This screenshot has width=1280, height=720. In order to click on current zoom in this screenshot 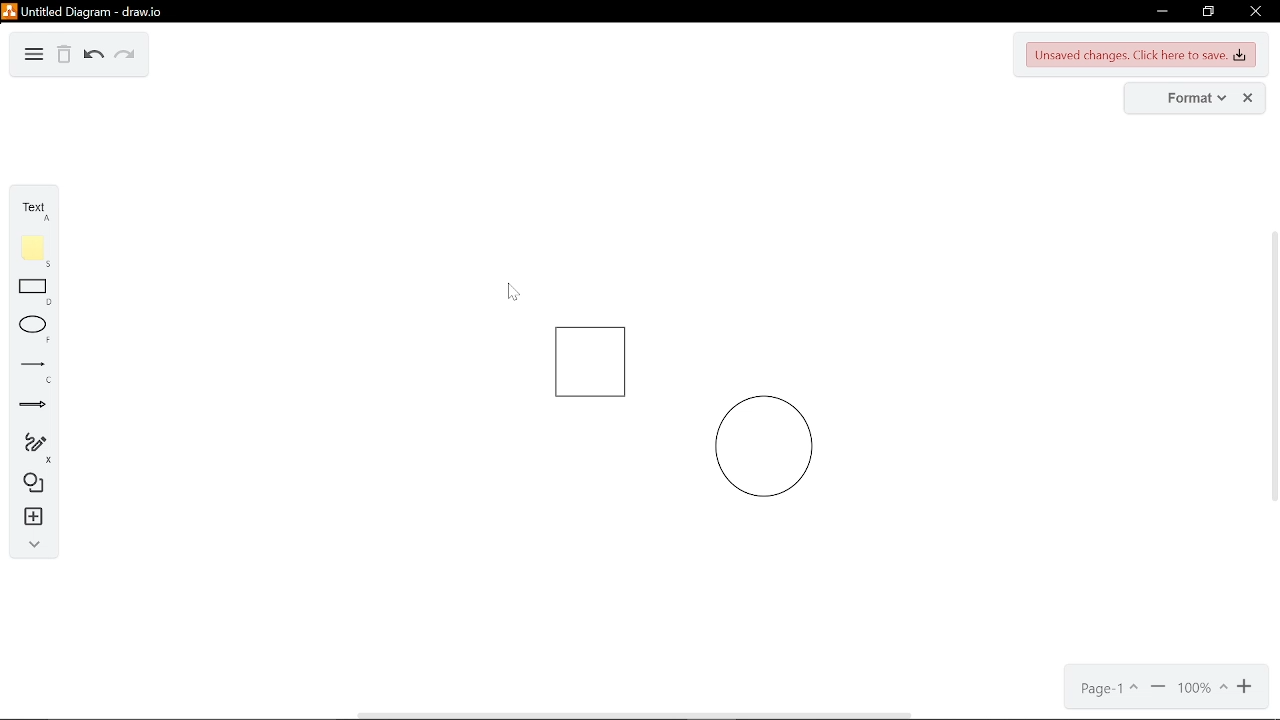, I will do `click(1203, 689)`.